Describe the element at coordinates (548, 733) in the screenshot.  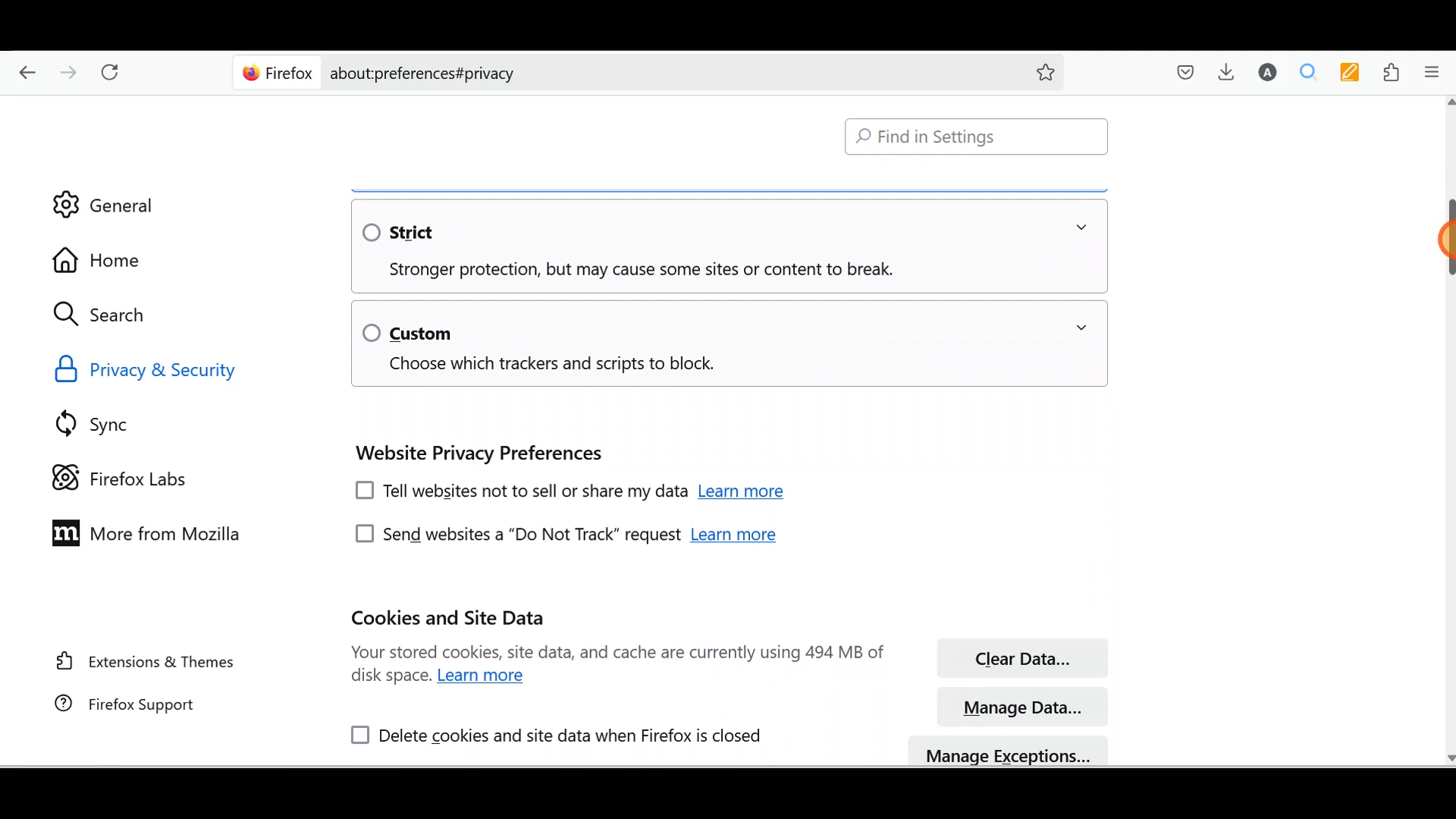
I see `Delete cookies and site data when Firefox is closed` at that location.